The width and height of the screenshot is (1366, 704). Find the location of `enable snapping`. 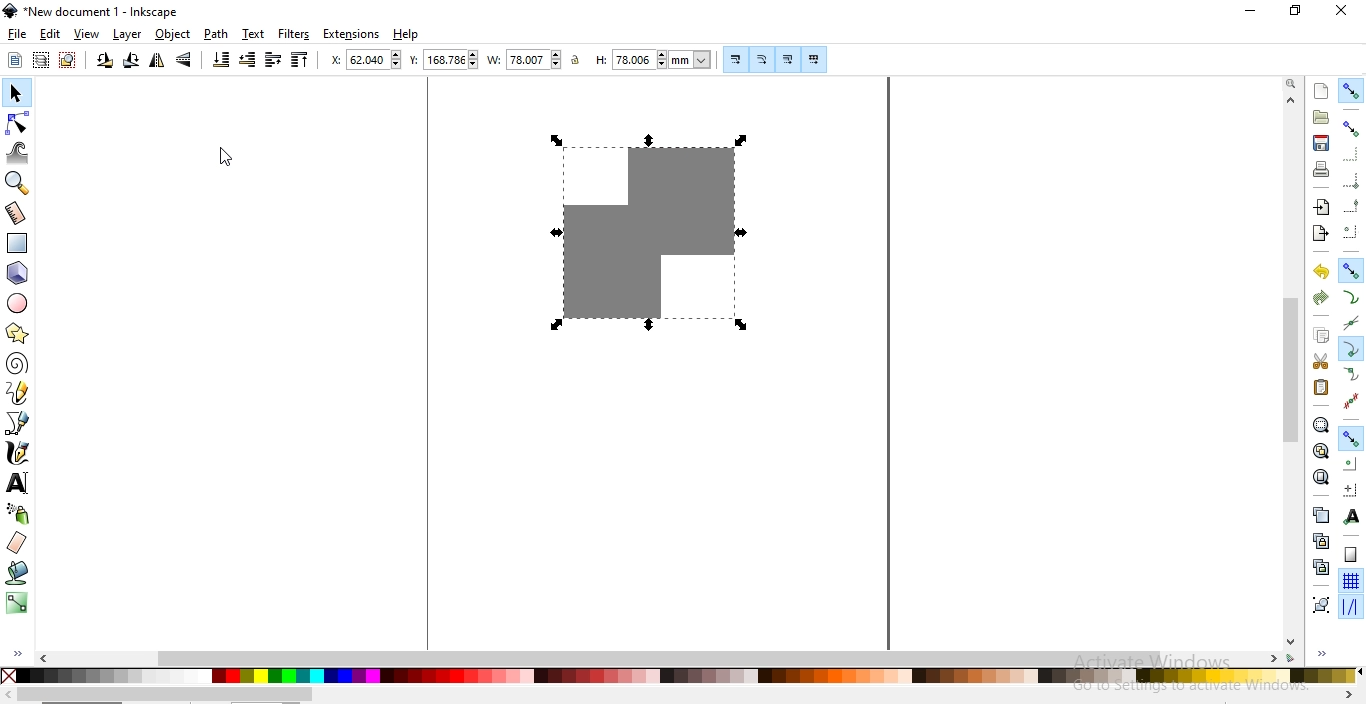

enable snapping is located at coordinates (1352, 90).